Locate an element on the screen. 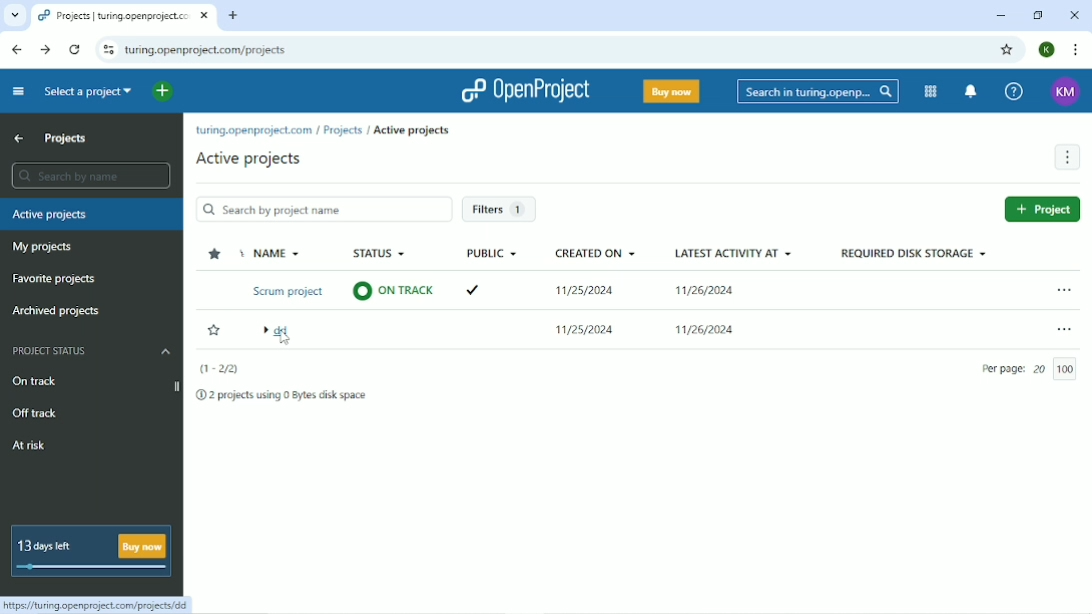  My projects is located at coordinates (42, 247).